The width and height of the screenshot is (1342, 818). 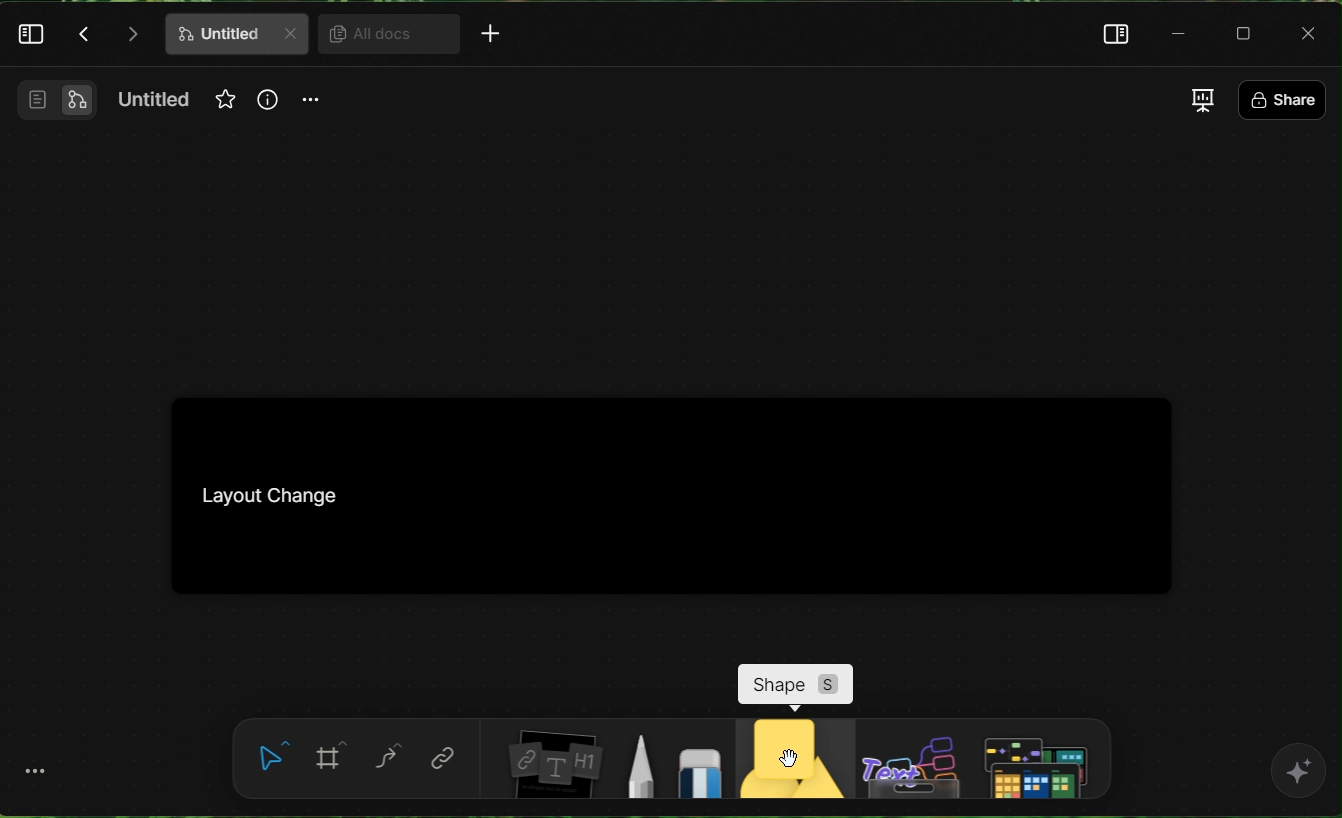 I want to click on board, so click(x=553, y=759).